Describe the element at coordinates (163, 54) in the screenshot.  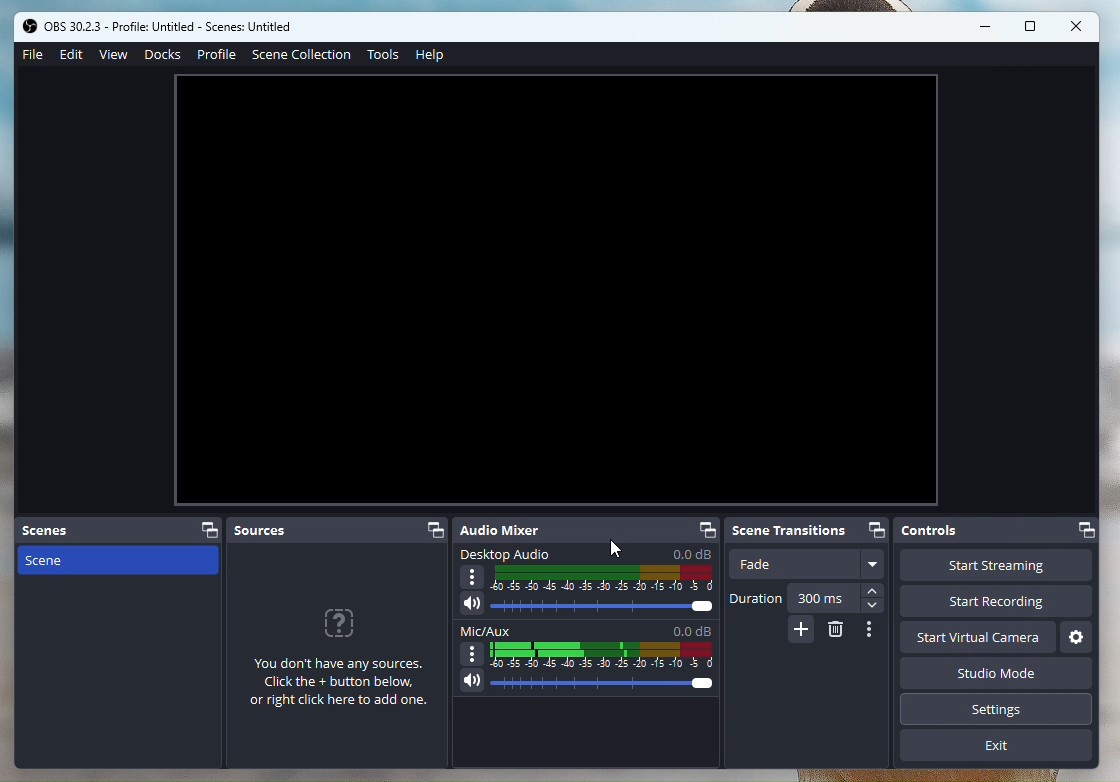
I see `Docks` at that location.